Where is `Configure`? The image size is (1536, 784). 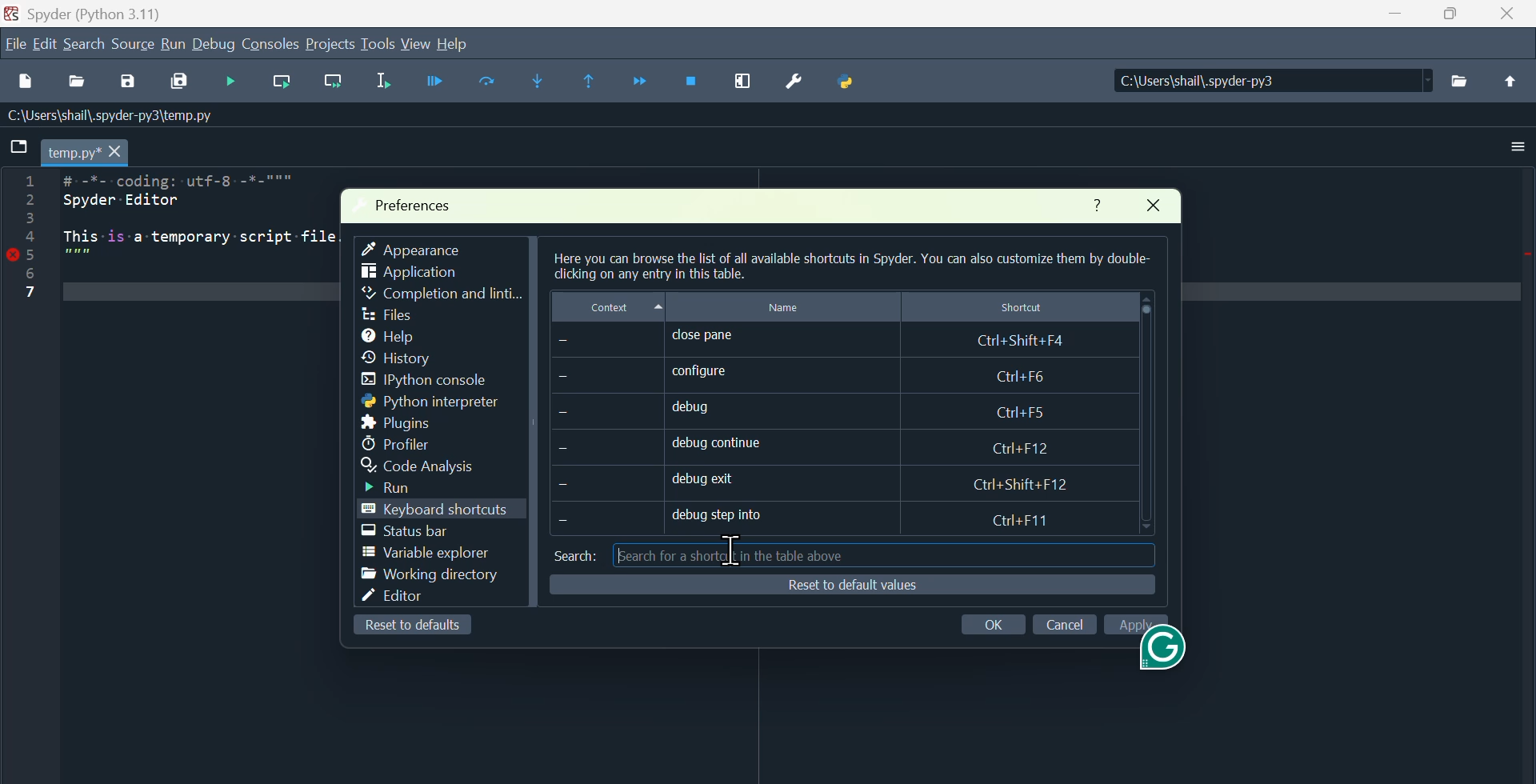
Configure is located at coordinates (823, 374).